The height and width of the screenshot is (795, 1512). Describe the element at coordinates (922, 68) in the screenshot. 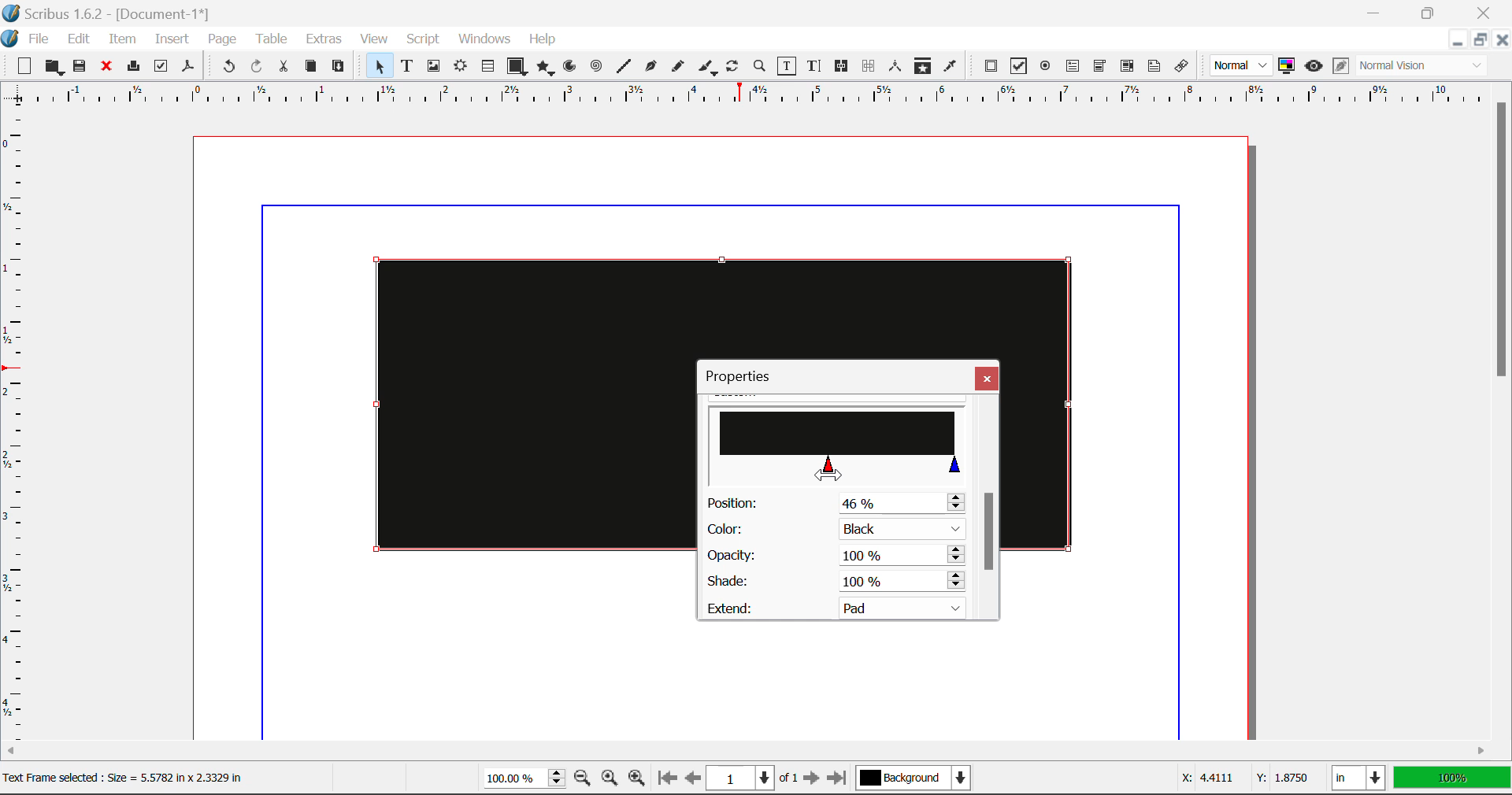

I see `Copy Item Properties` at that location.